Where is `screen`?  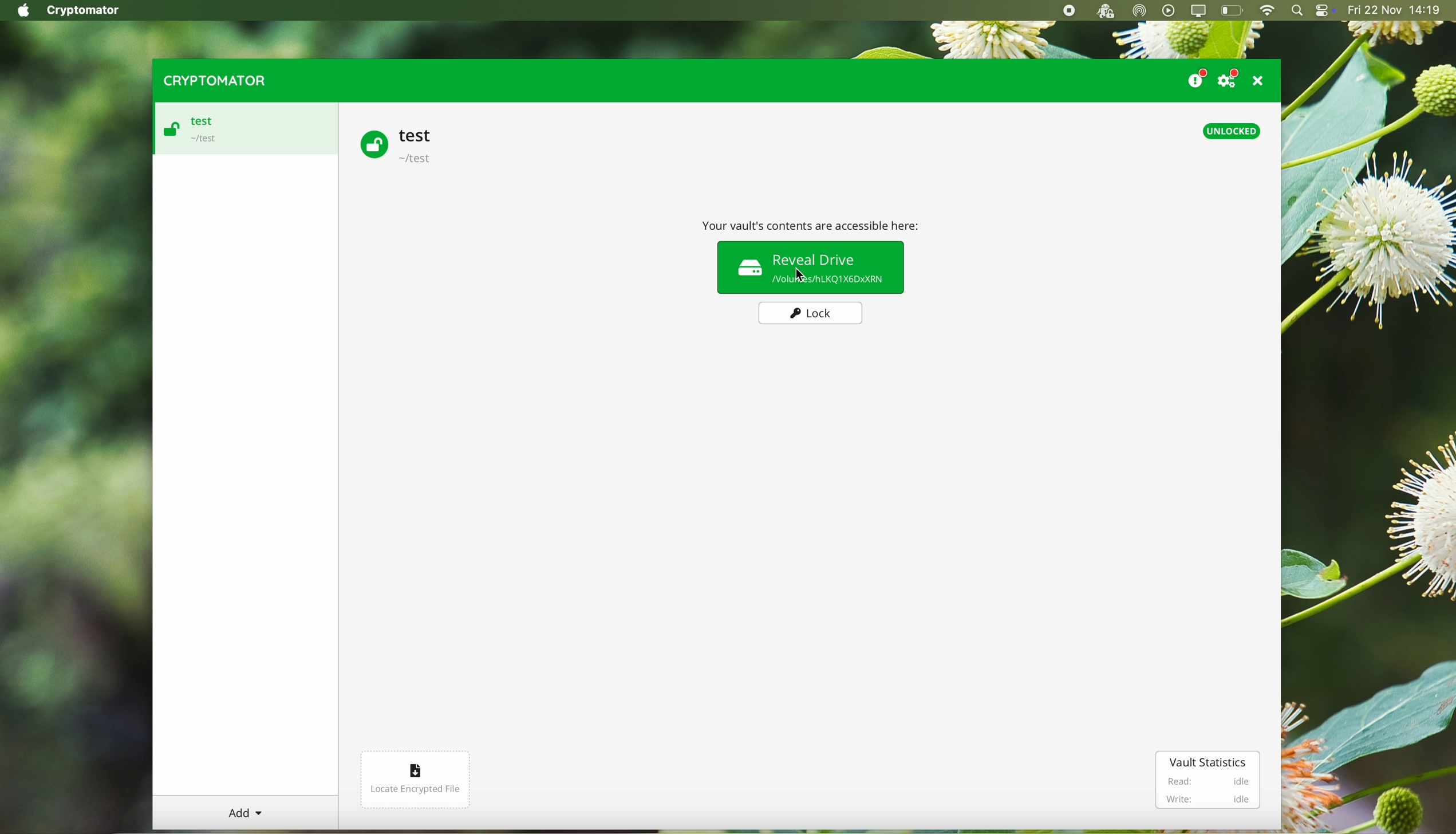
screen is located at coordinates (1200, 11).